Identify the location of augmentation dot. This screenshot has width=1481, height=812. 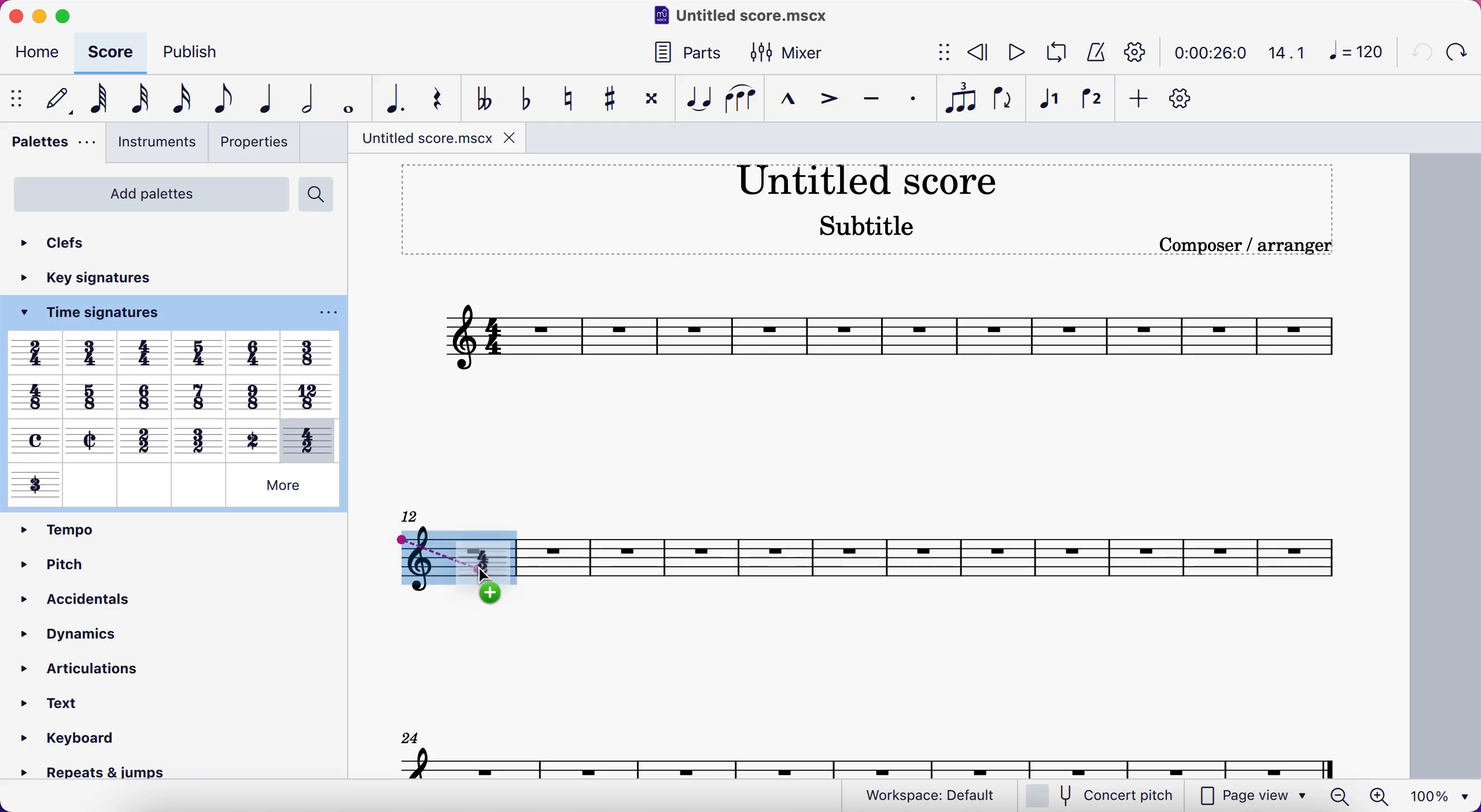
(393, 98).